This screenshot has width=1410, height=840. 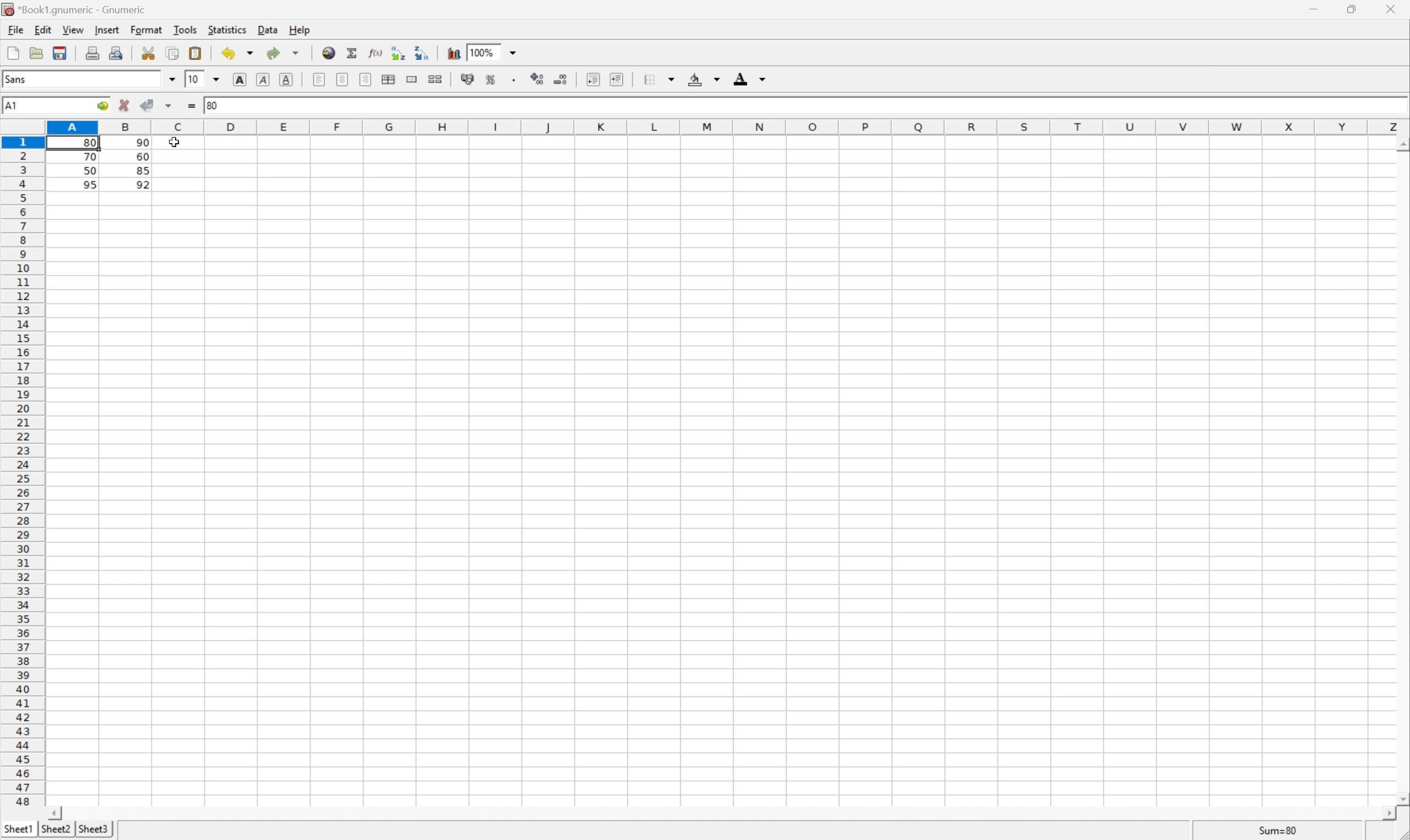 What do you see at coordinates (1277, 830) in the screenshot?
I see `Sum=80` at bounding box center [1277, 830].